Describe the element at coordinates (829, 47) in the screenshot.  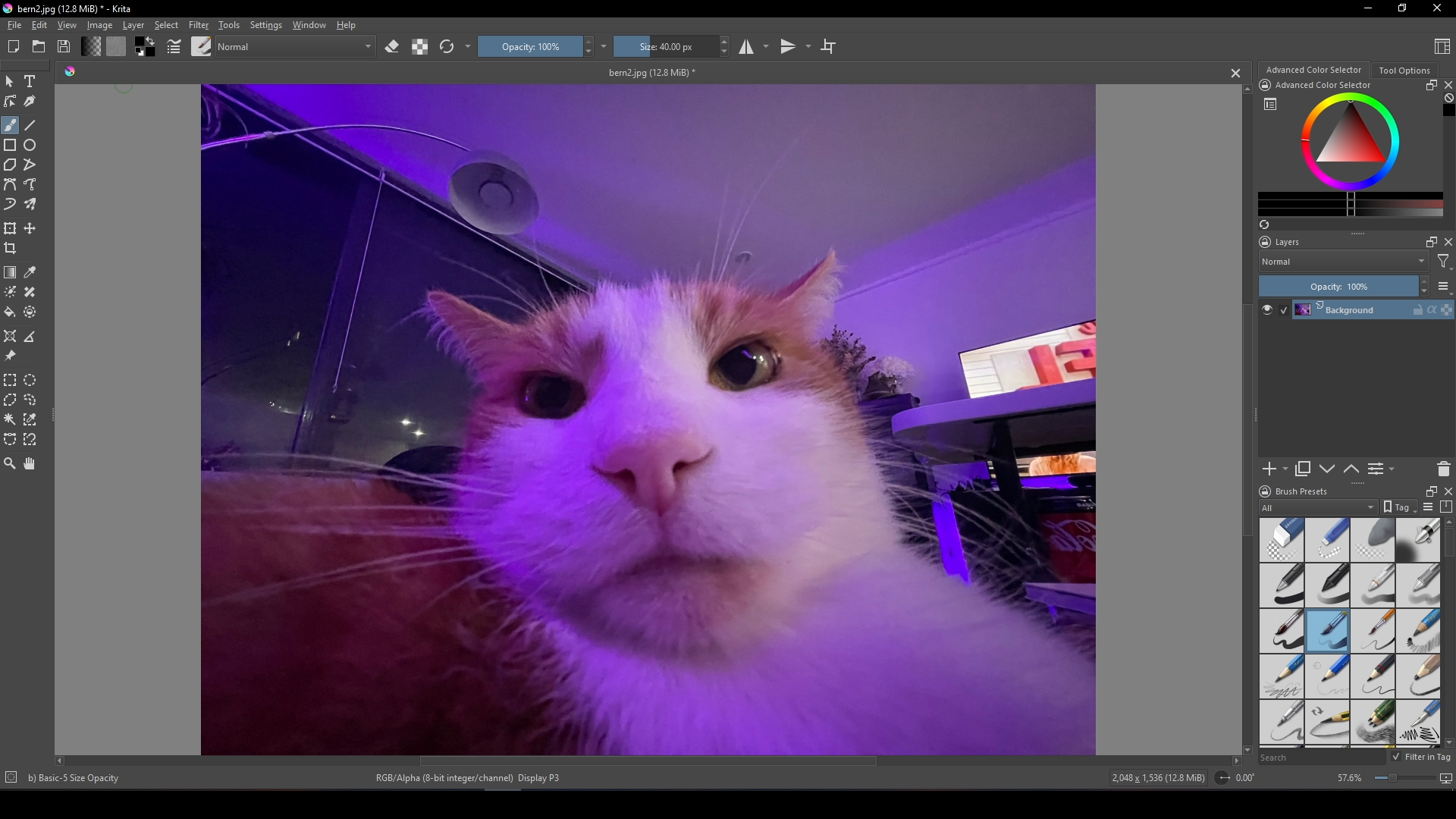
I see `Wrap around mode` at that location.